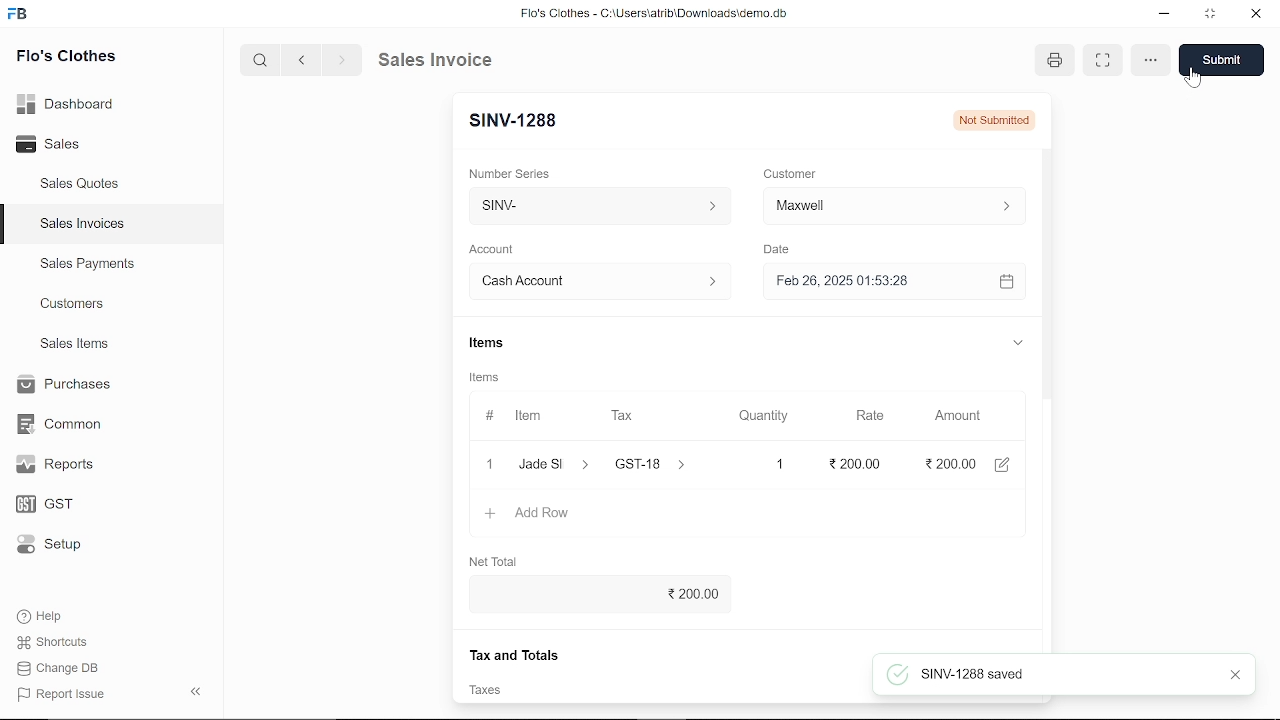 This screenshot has height=720, width=1280. What do you see at coordinates (948, 463) in the screenshot?
I see `2,999.00` at bounding box center [948, 463].